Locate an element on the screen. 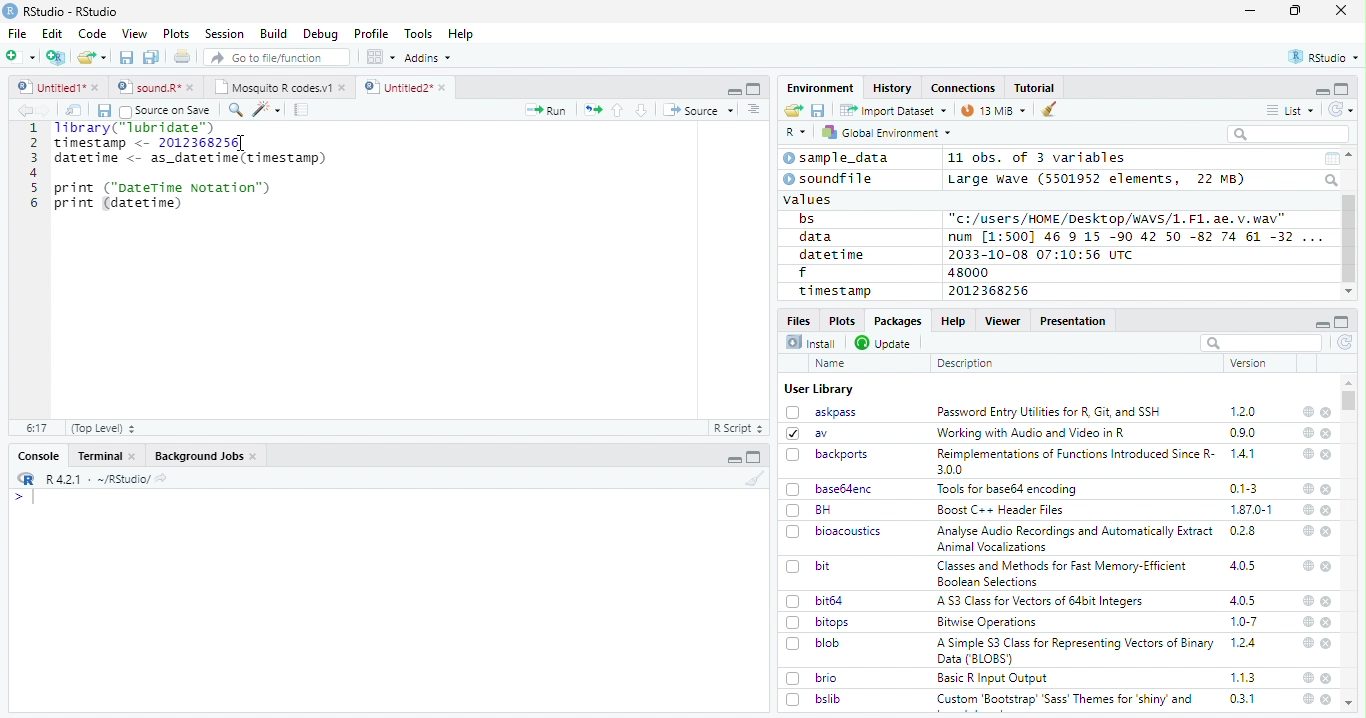  Go to previous section is located at coordinates (619, 110).